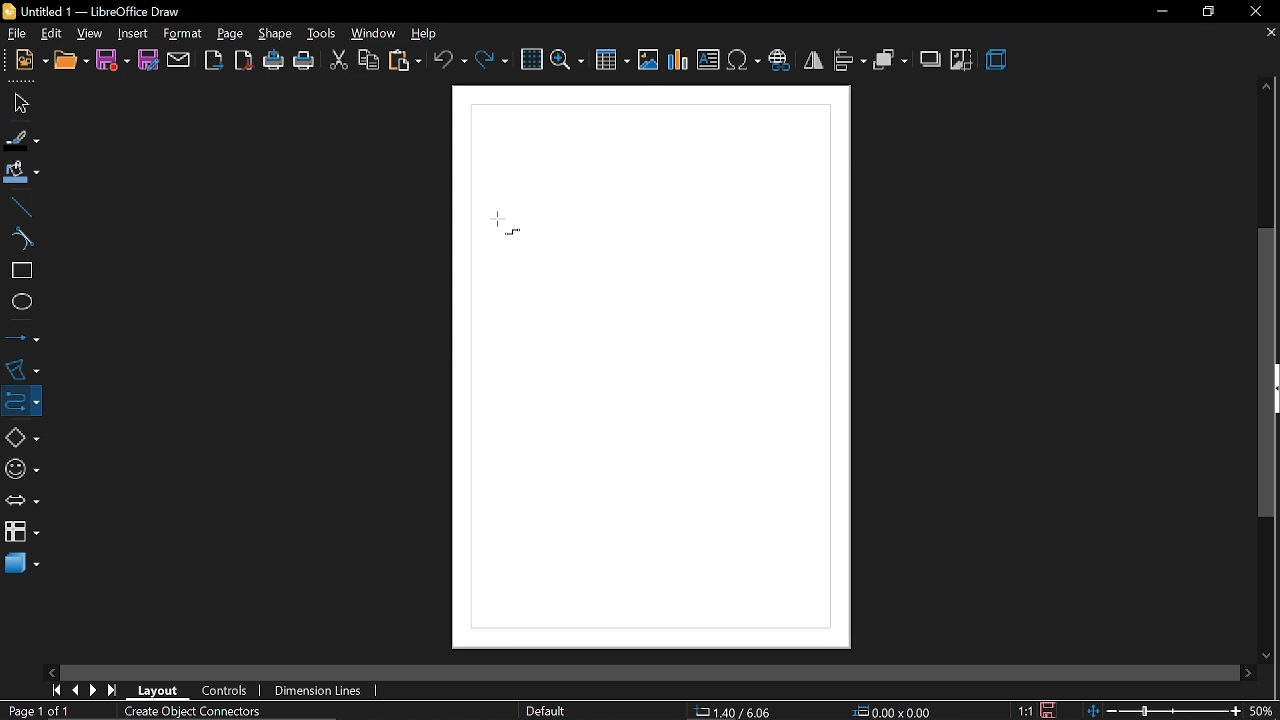 This screenshot has width=1280, height=720. What do you see at coordinates (304, 62) in the screenshot?
I see `print` at bounding box center [304, 62].